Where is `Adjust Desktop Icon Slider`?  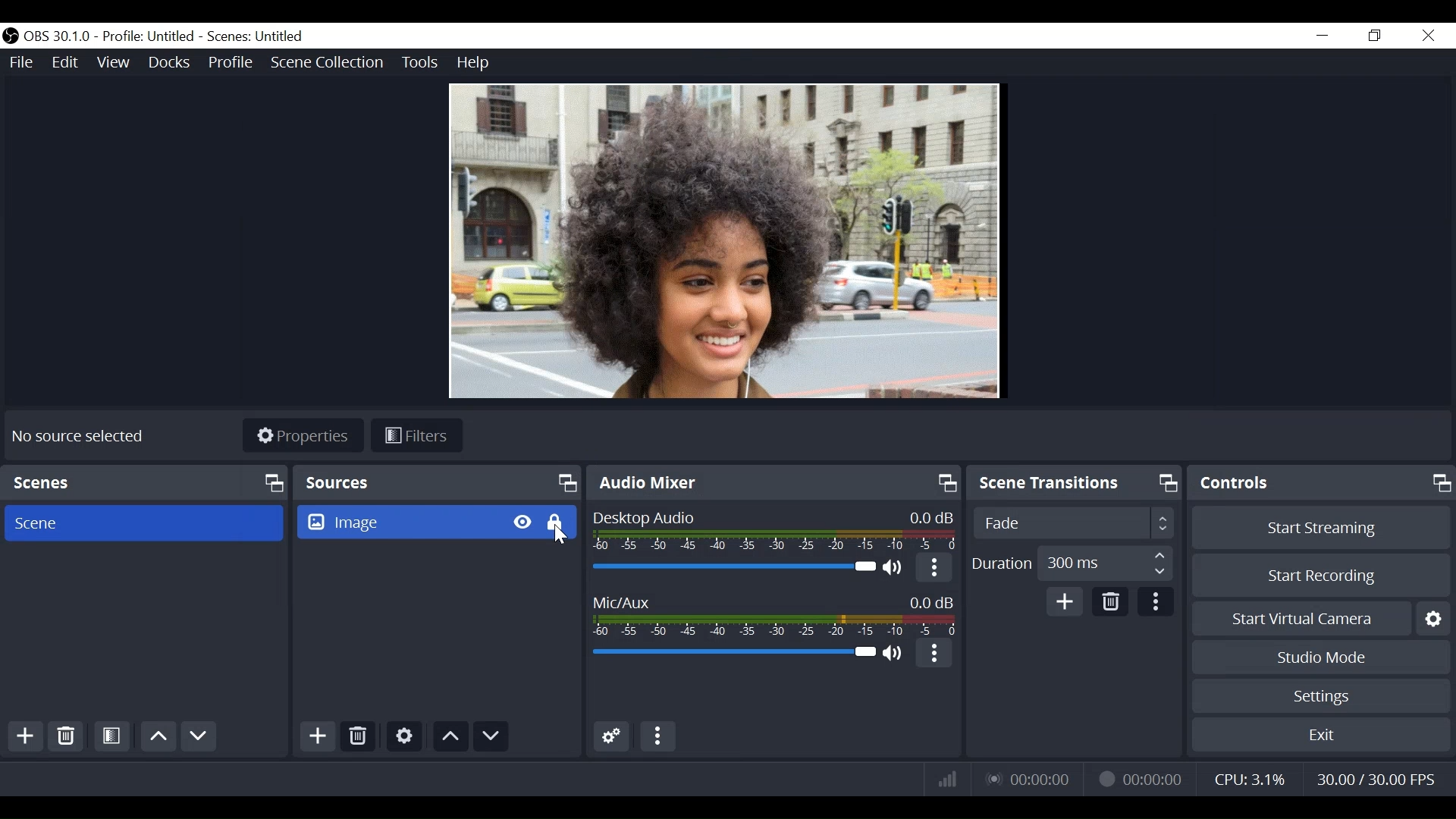
Adjust Desktop Icon Slider is located at coordinates (732, 569).